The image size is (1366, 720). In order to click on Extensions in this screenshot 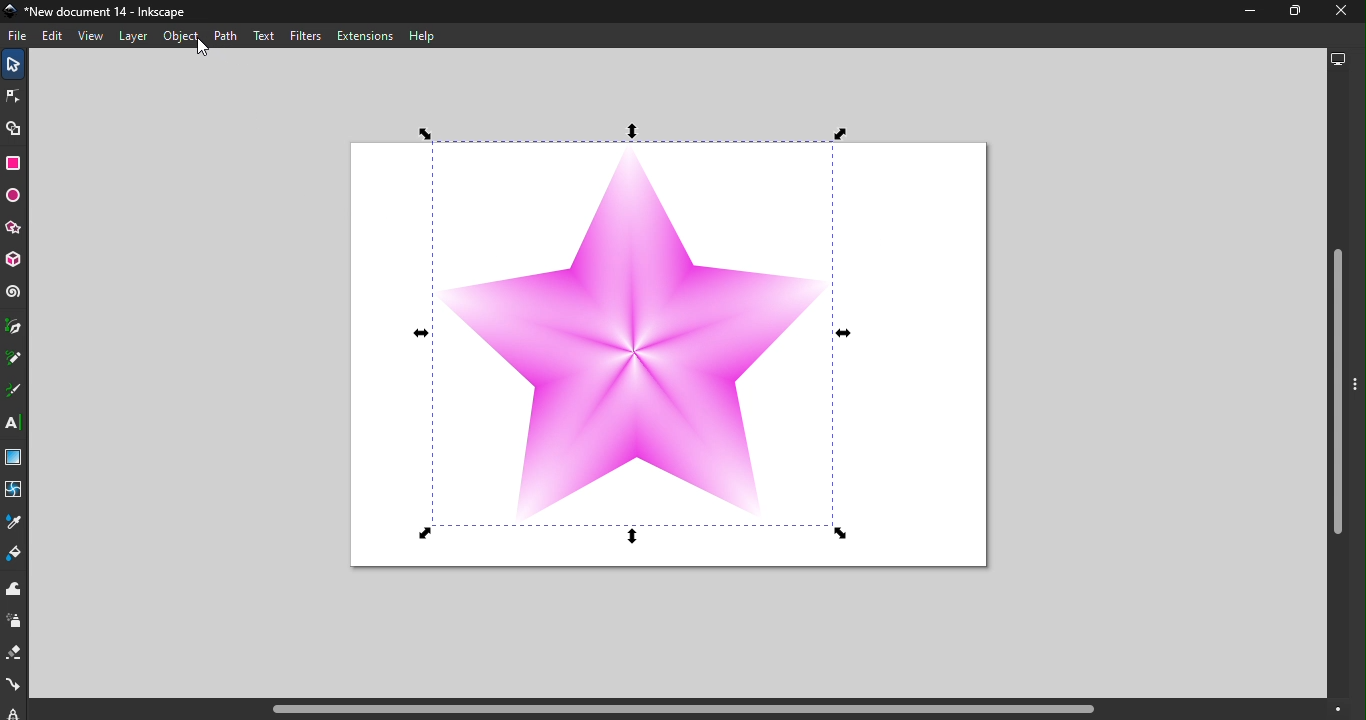, I will do `click(366, 37)`.